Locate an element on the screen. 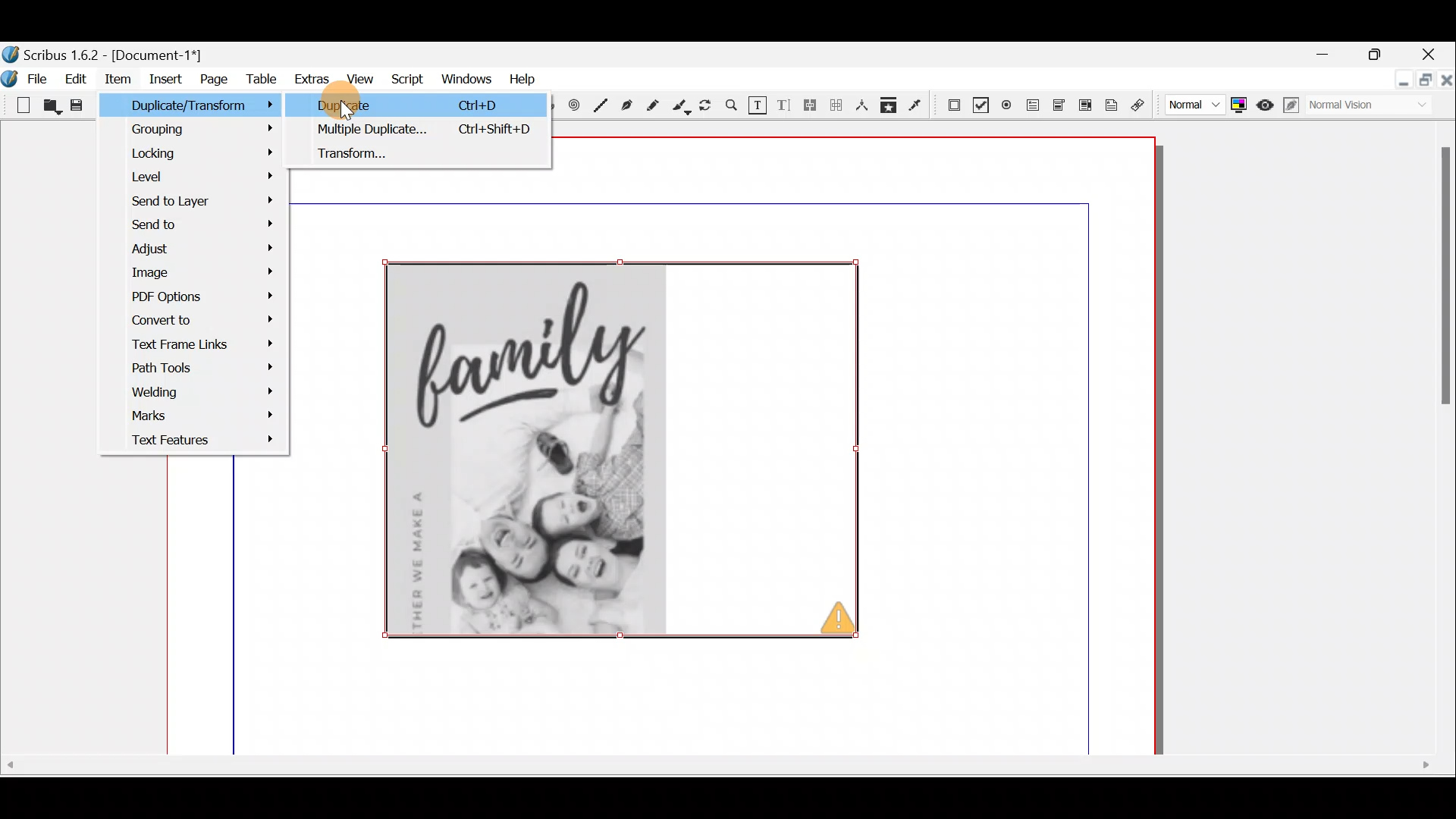 This screenshot has width=1456, height=819. Page is located at coordinates (212, 82).